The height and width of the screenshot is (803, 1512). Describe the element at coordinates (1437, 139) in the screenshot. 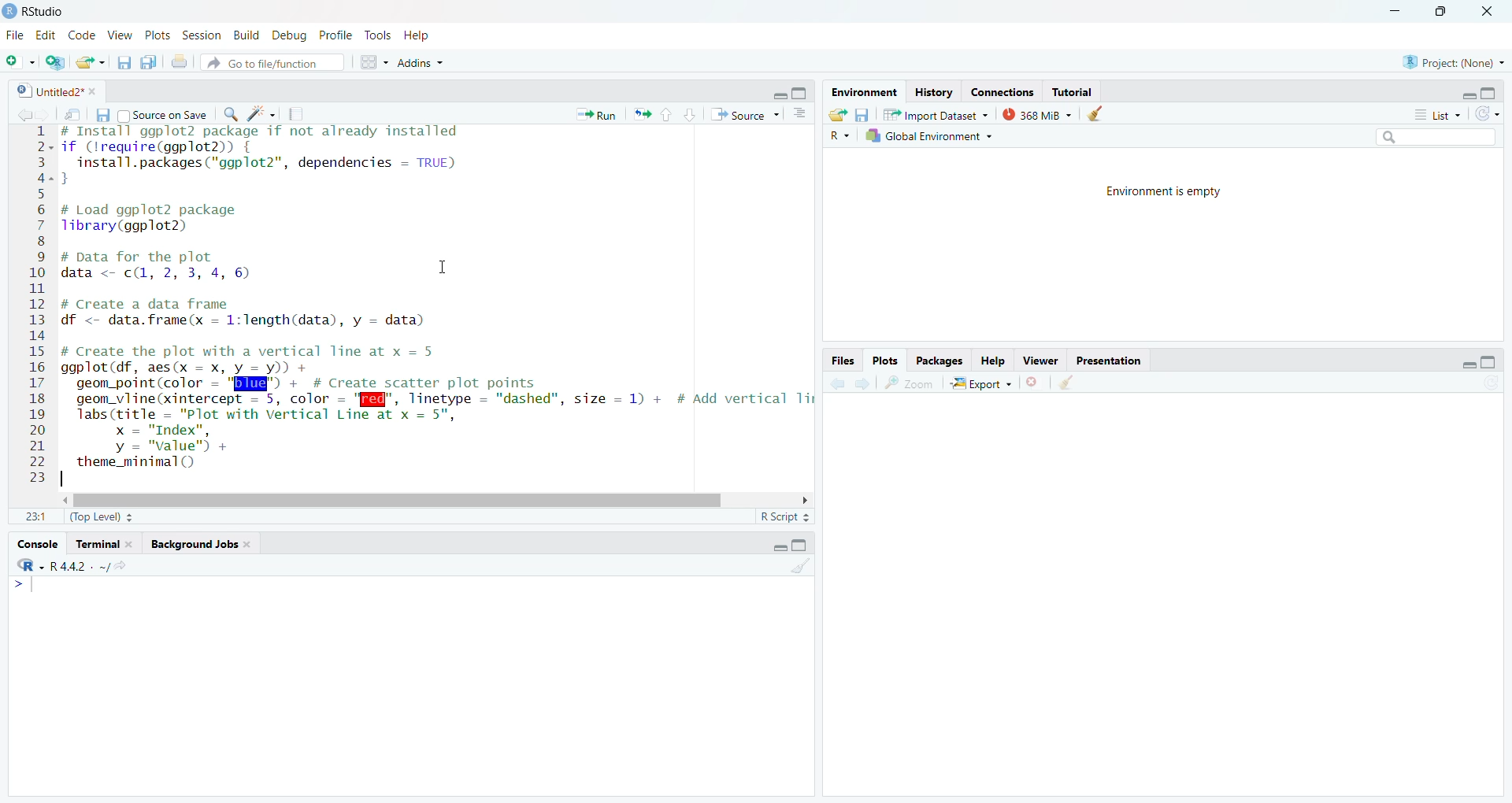

I see `search` at that location.